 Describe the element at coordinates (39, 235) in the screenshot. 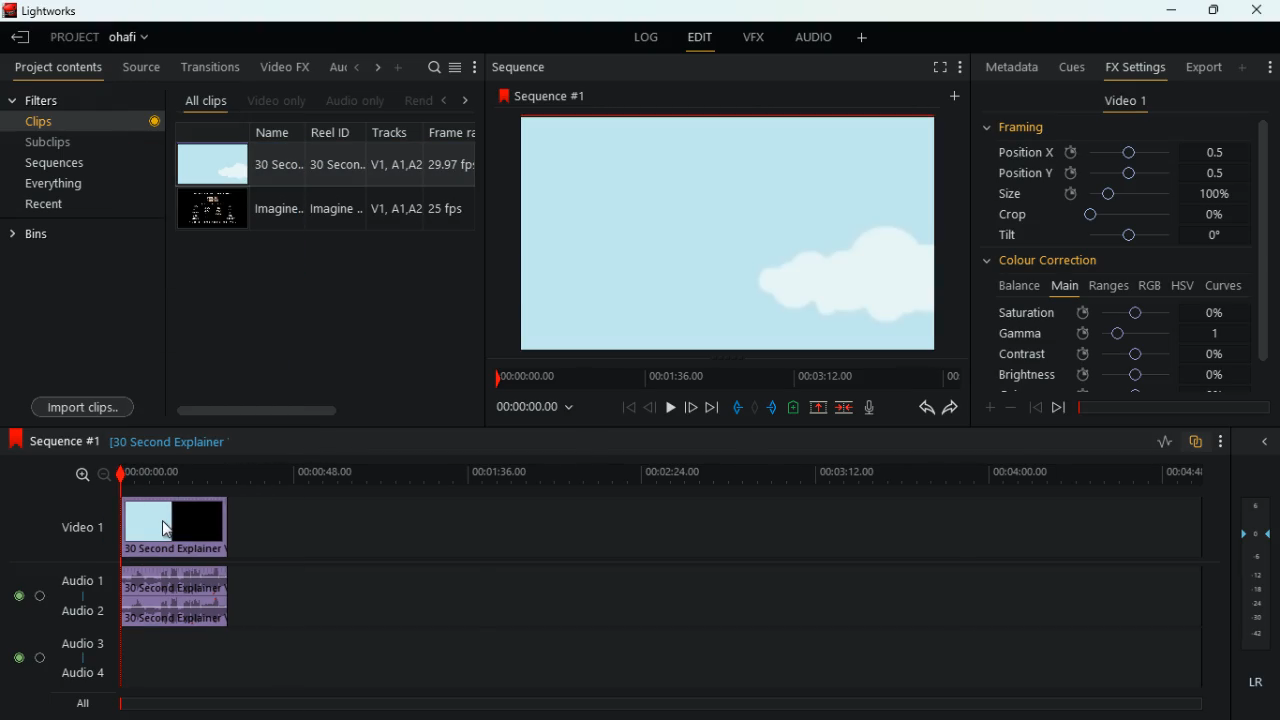

I see `bins` at that location.